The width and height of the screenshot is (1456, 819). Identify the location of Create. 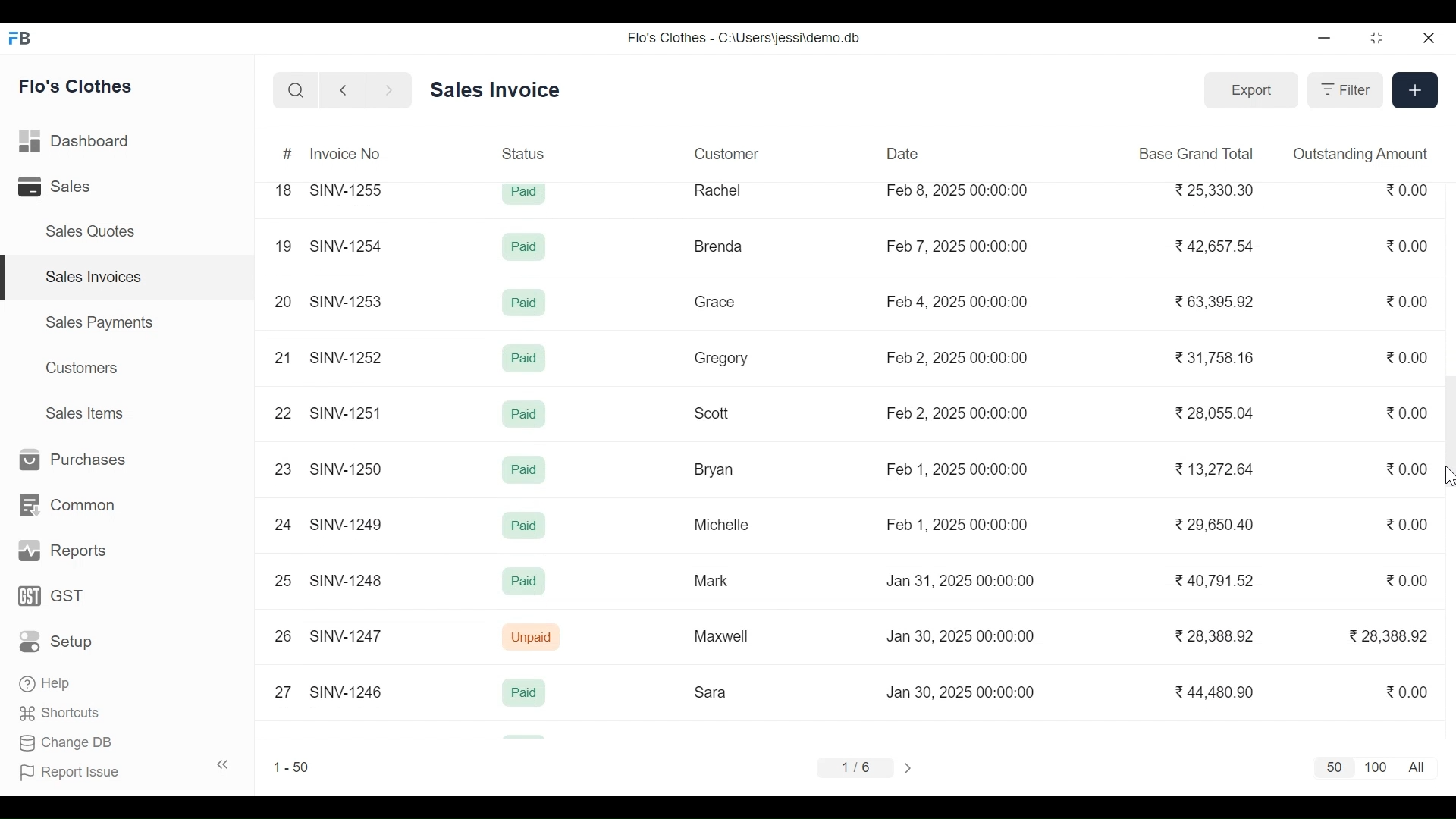
(1414, 89).